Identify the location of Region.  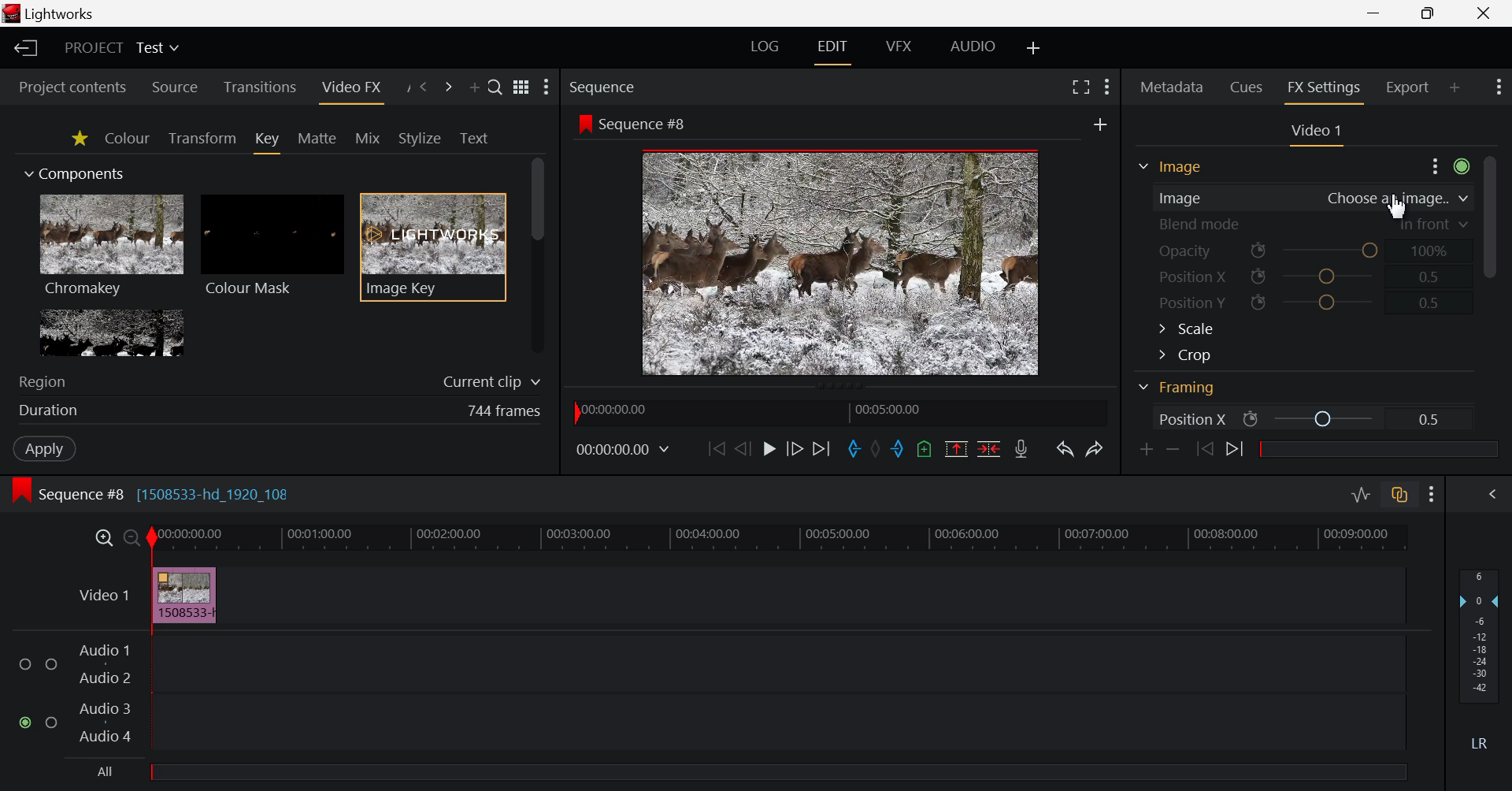
(43, 383).